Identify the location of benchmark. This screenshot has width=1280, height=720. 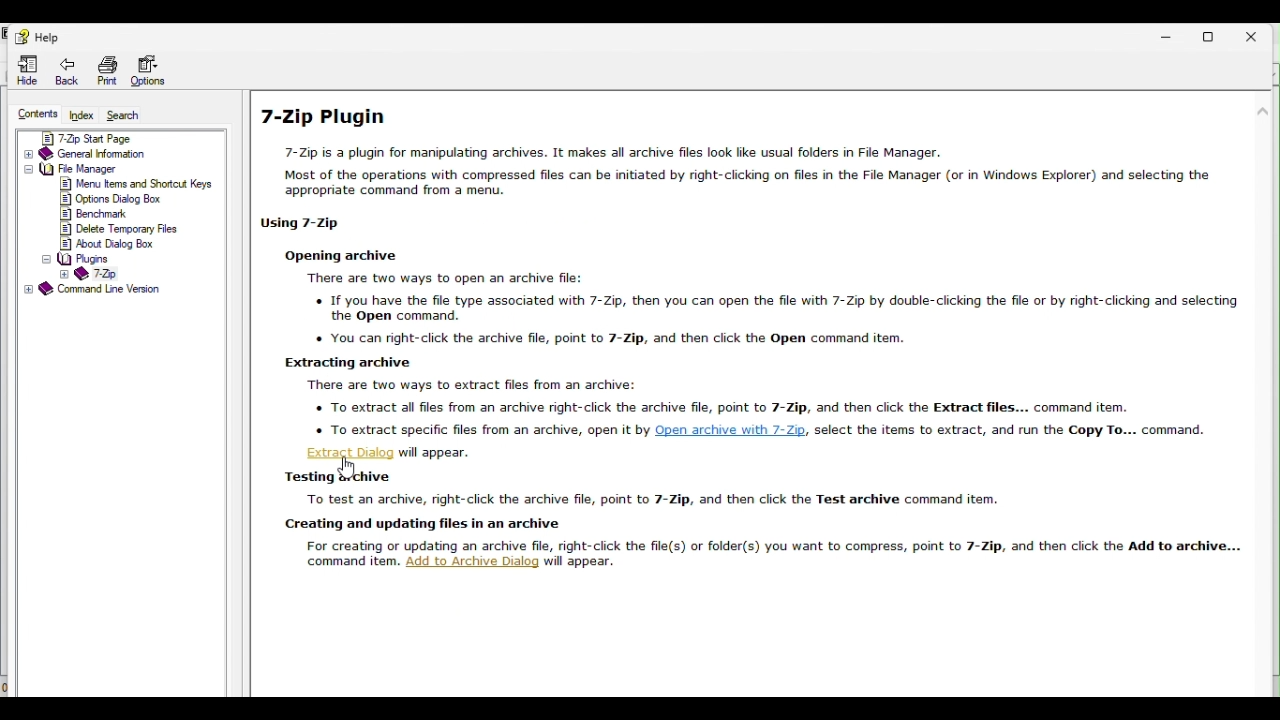
(96, 213).